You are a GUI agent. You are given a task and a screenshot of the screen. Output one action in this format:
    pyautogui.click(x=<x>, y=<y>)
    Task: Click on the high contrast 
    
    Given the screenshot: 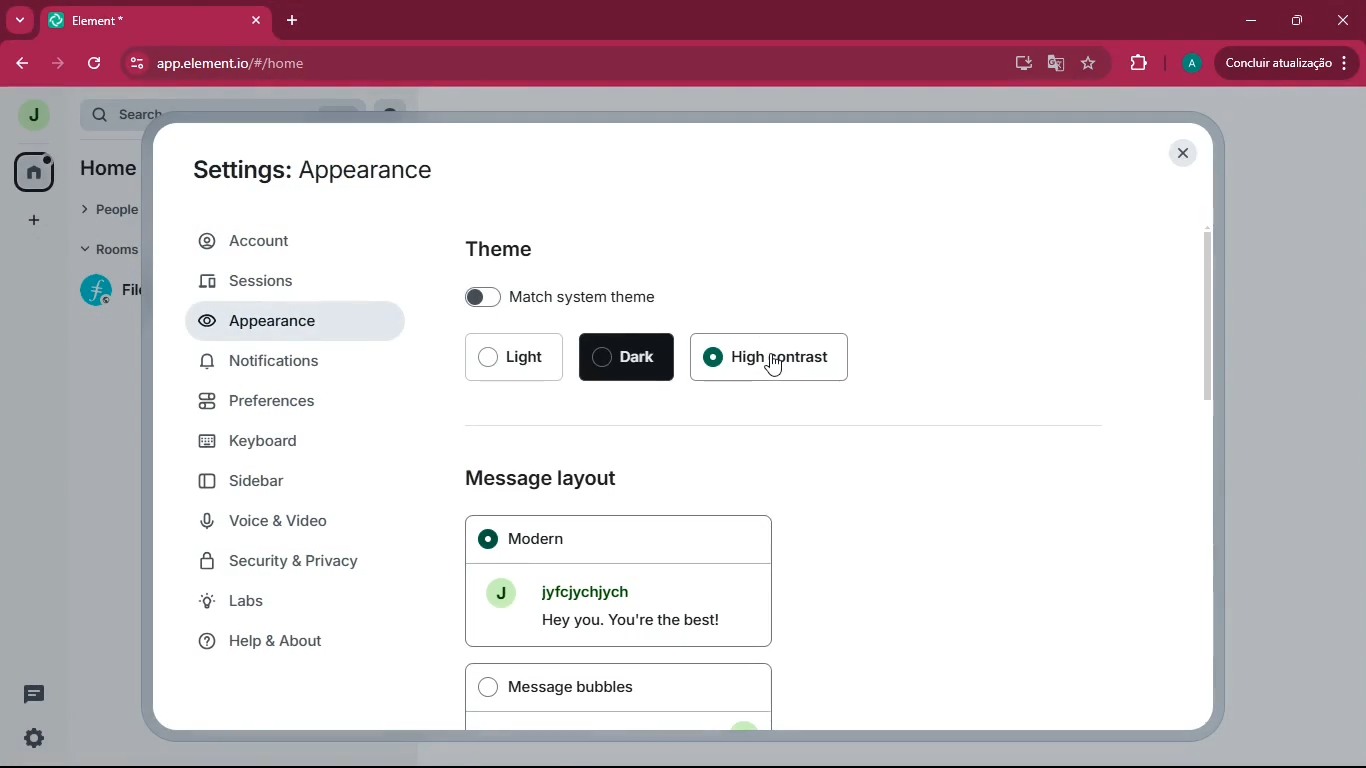 What is the action you would take?
    pyautogui.click(x=781, y=358)
    